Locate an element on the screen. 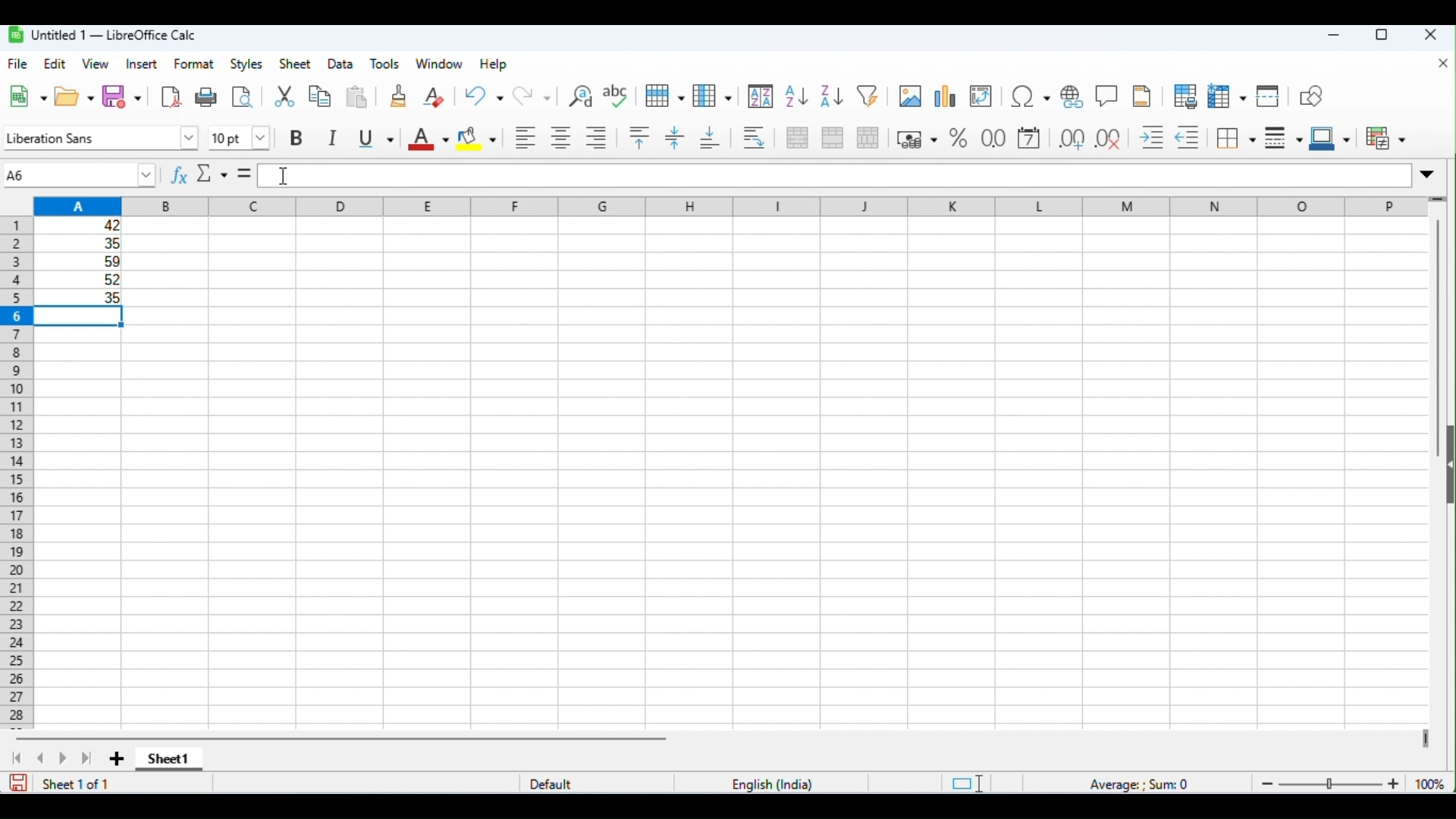 The height and width of the screenshot is (819, 1456). format as currency is located at coordinates (918, 137).